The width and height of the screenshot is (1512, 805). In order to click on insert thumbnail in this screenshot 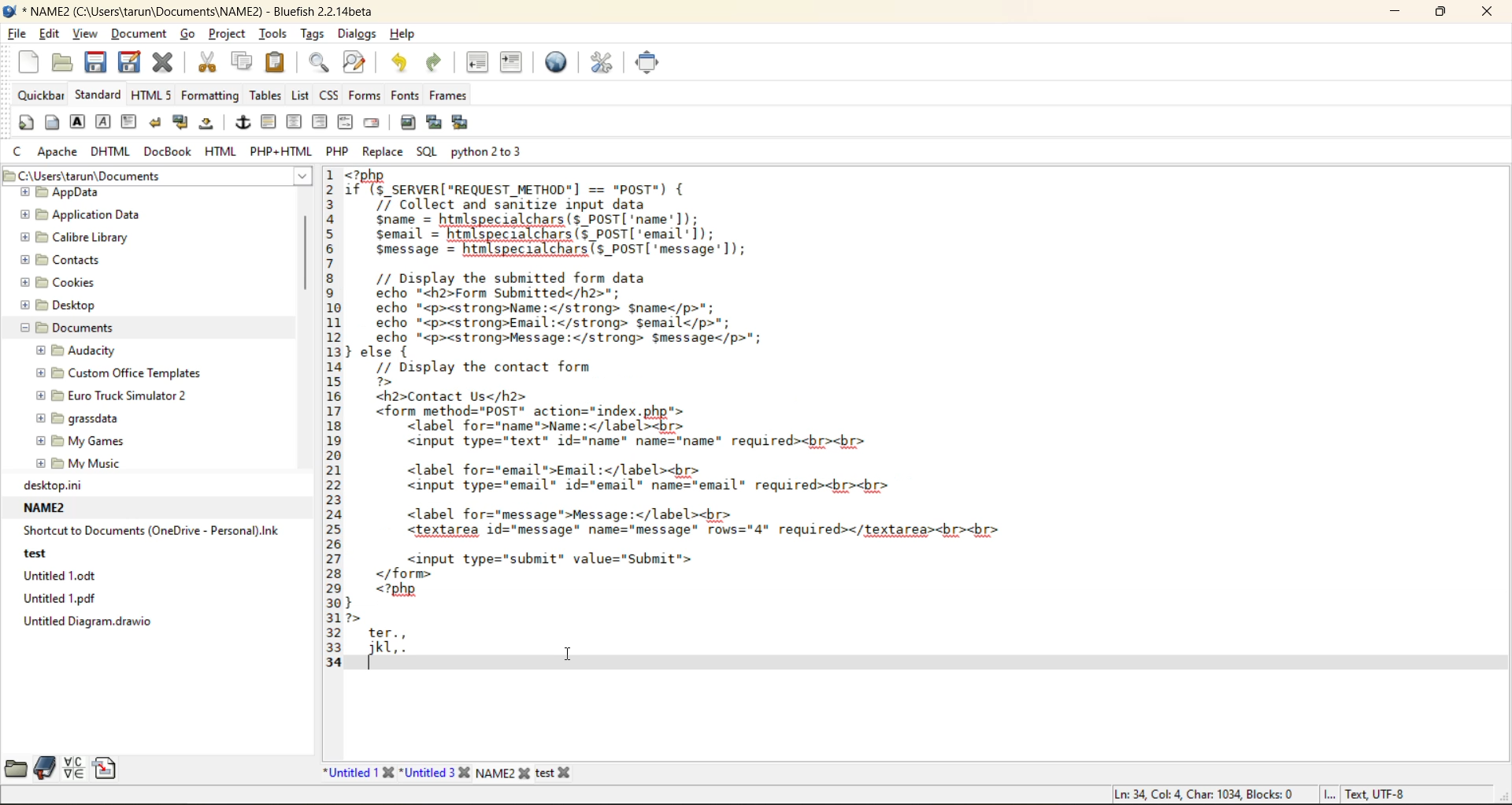, I will do `click(432, 120)`.